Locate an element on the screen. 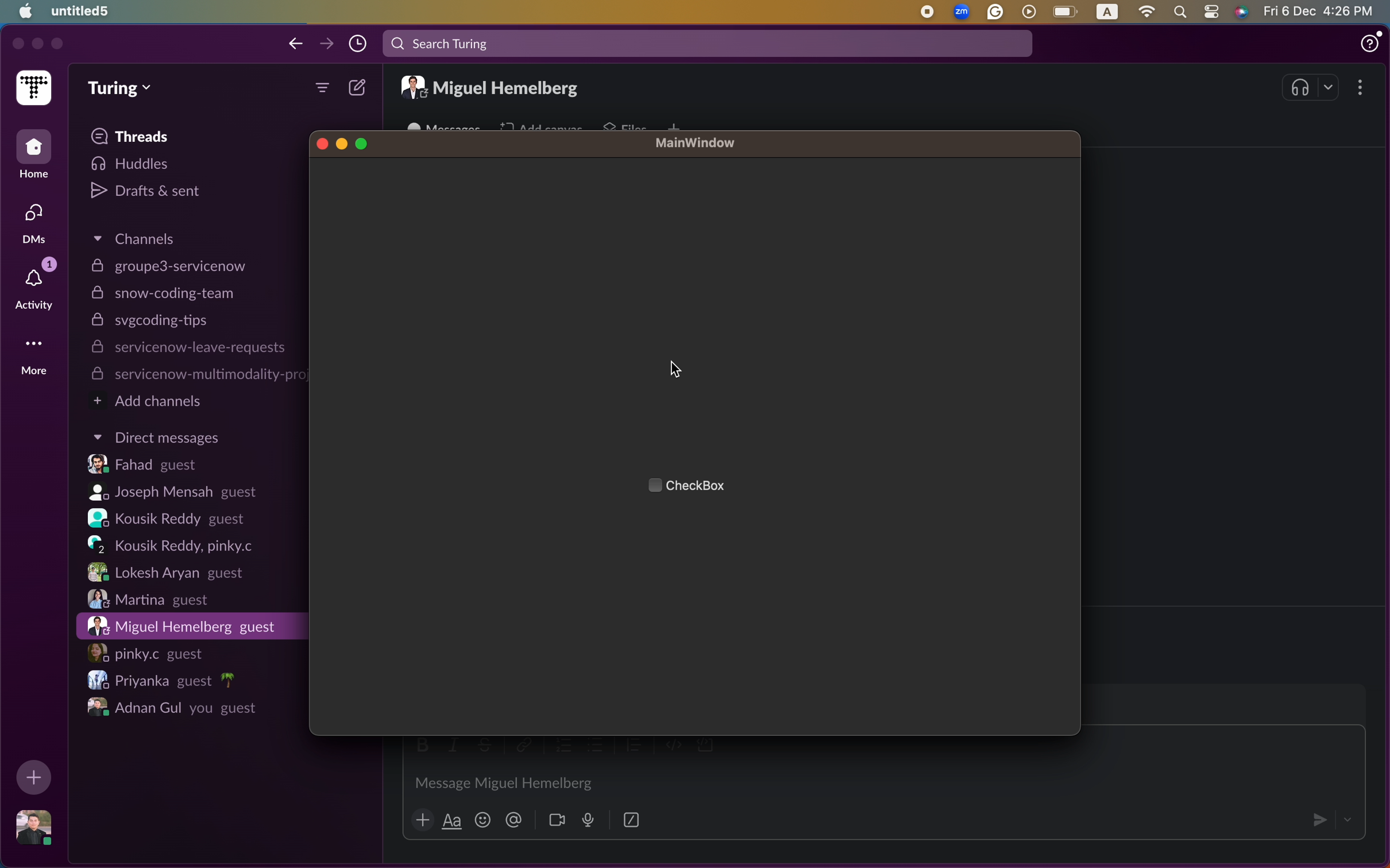  battery is located at coordinates (1067, 10).